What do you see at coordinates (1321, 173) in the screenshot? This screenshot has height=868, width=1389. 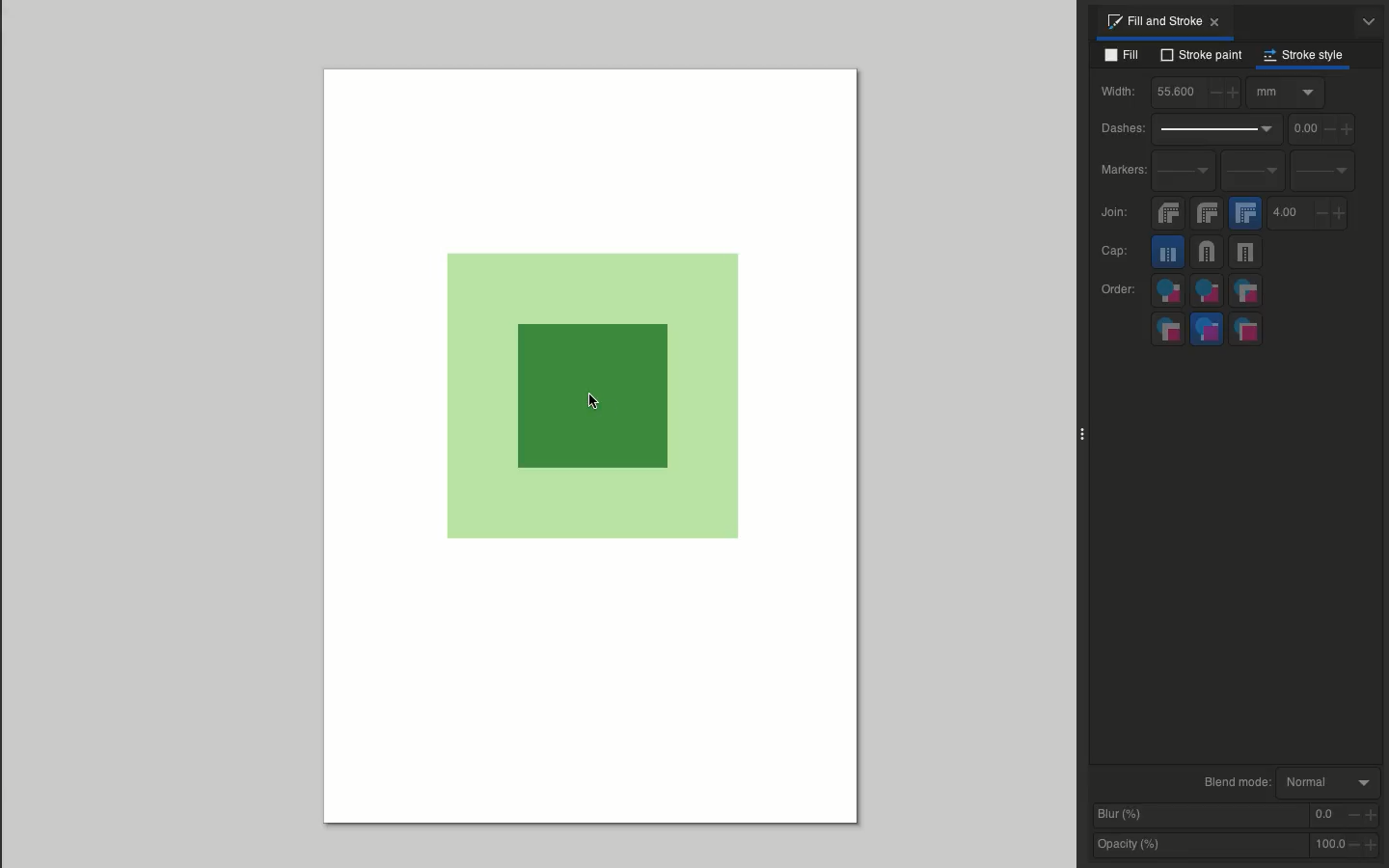 I see `End markers` at bounding box center [1321, 173].